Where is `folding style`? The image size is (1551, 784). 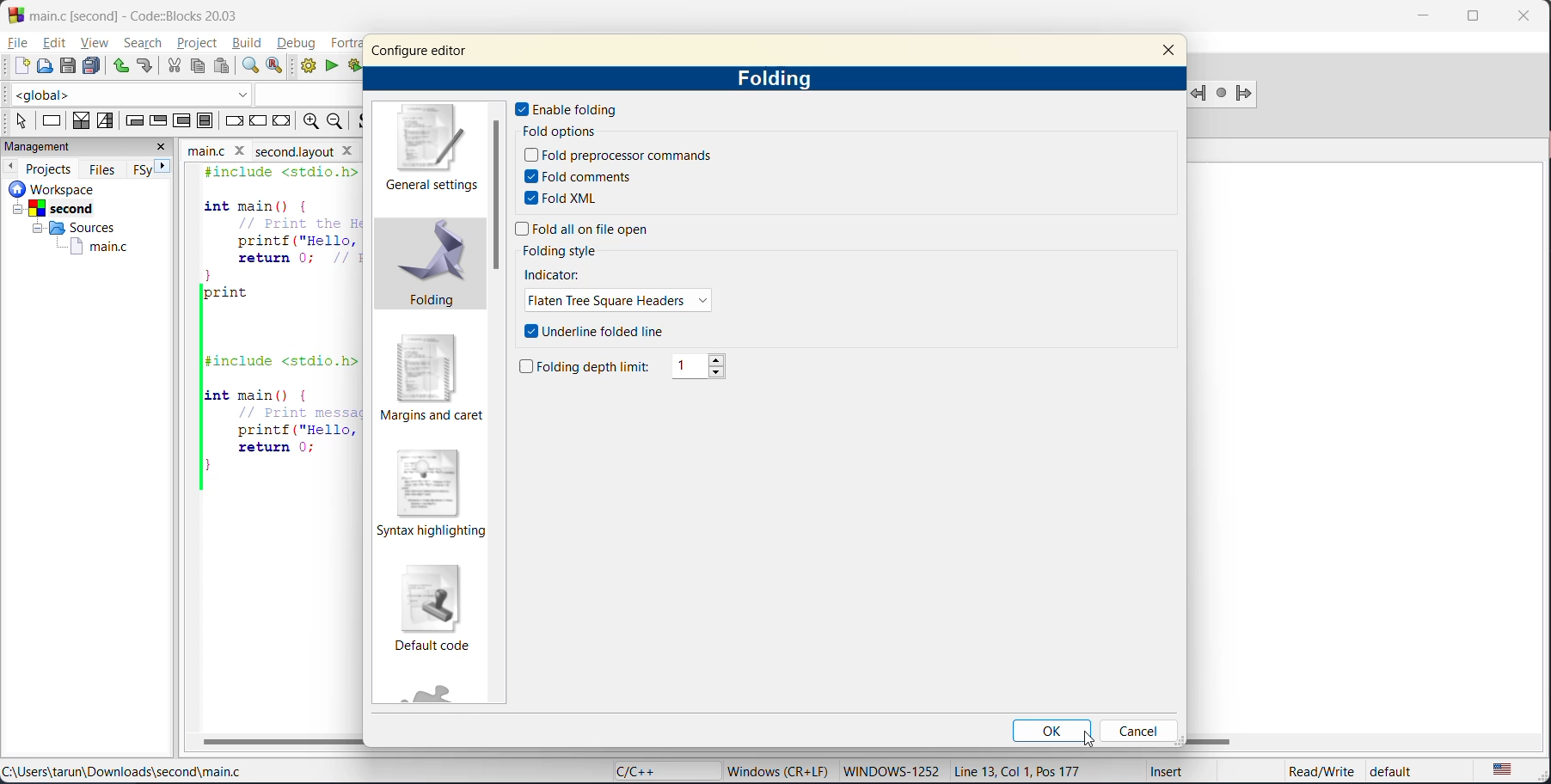
folding style is located at coordinates (566, 250).